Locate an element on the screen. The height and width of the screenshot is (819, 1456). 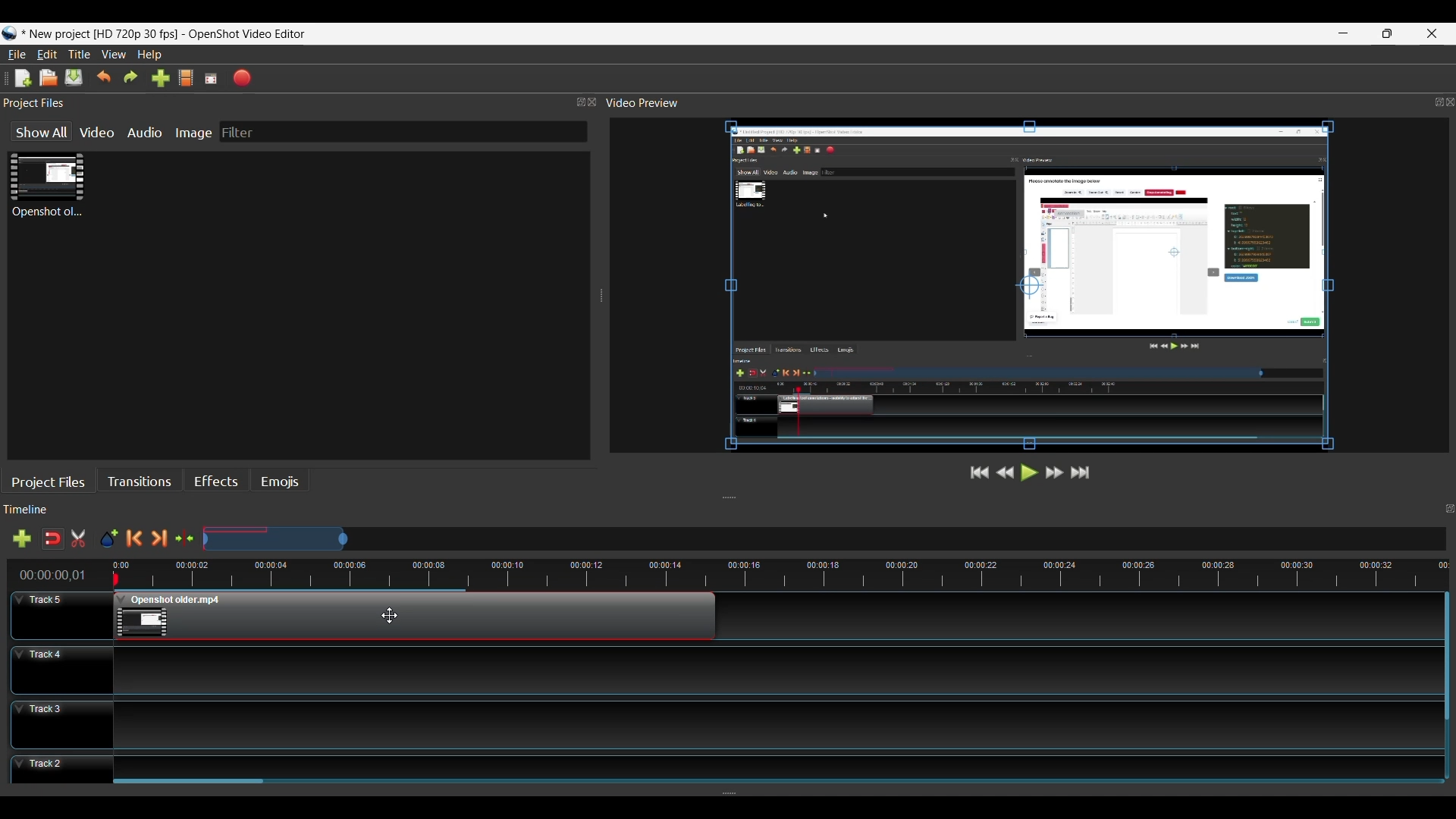
Track Header is located at coordinates (57, 613).